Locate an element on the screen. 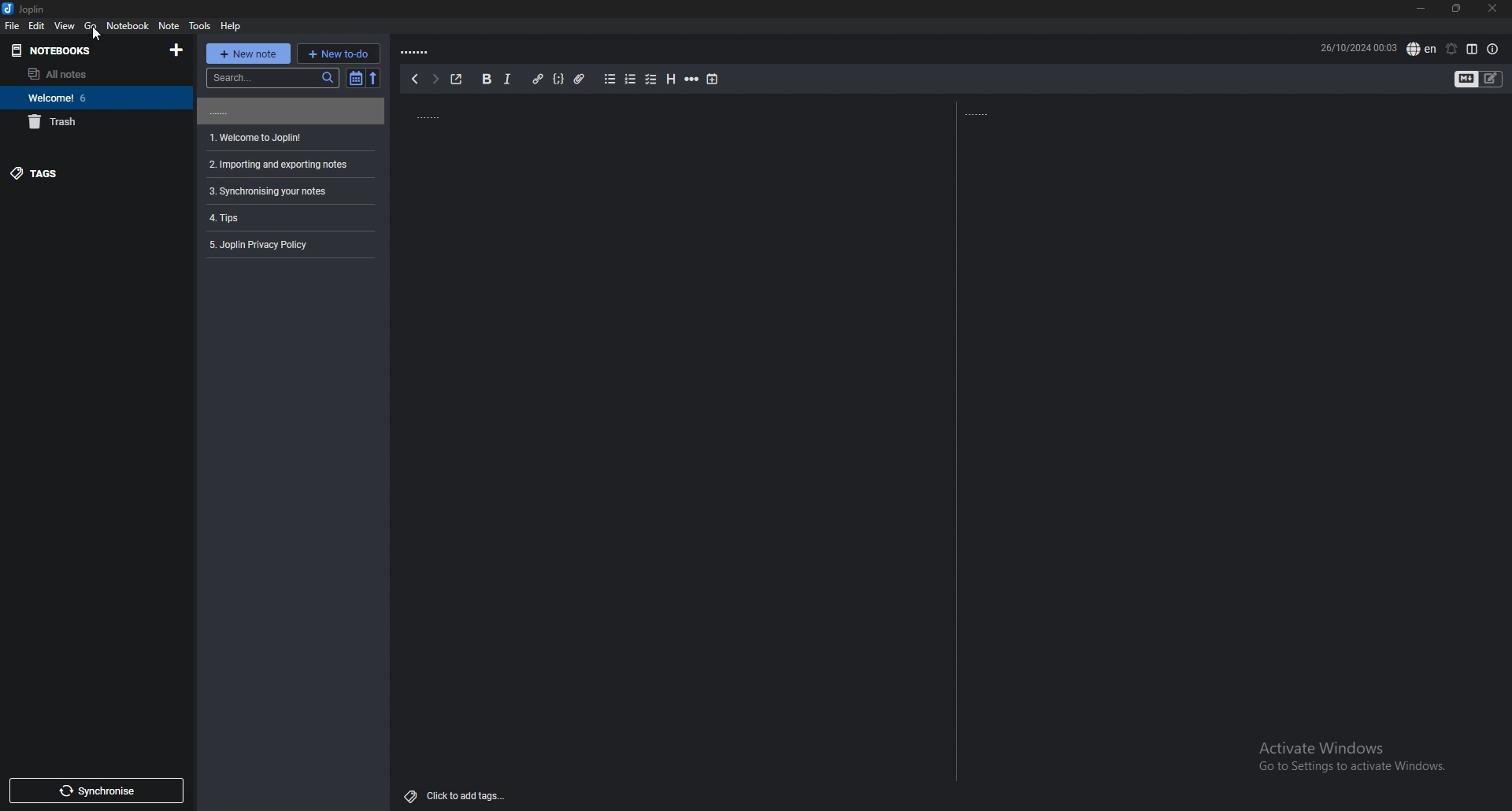 The width and height of the screenshot is (1512, 811). cursor is located at coordinates (94, 33).